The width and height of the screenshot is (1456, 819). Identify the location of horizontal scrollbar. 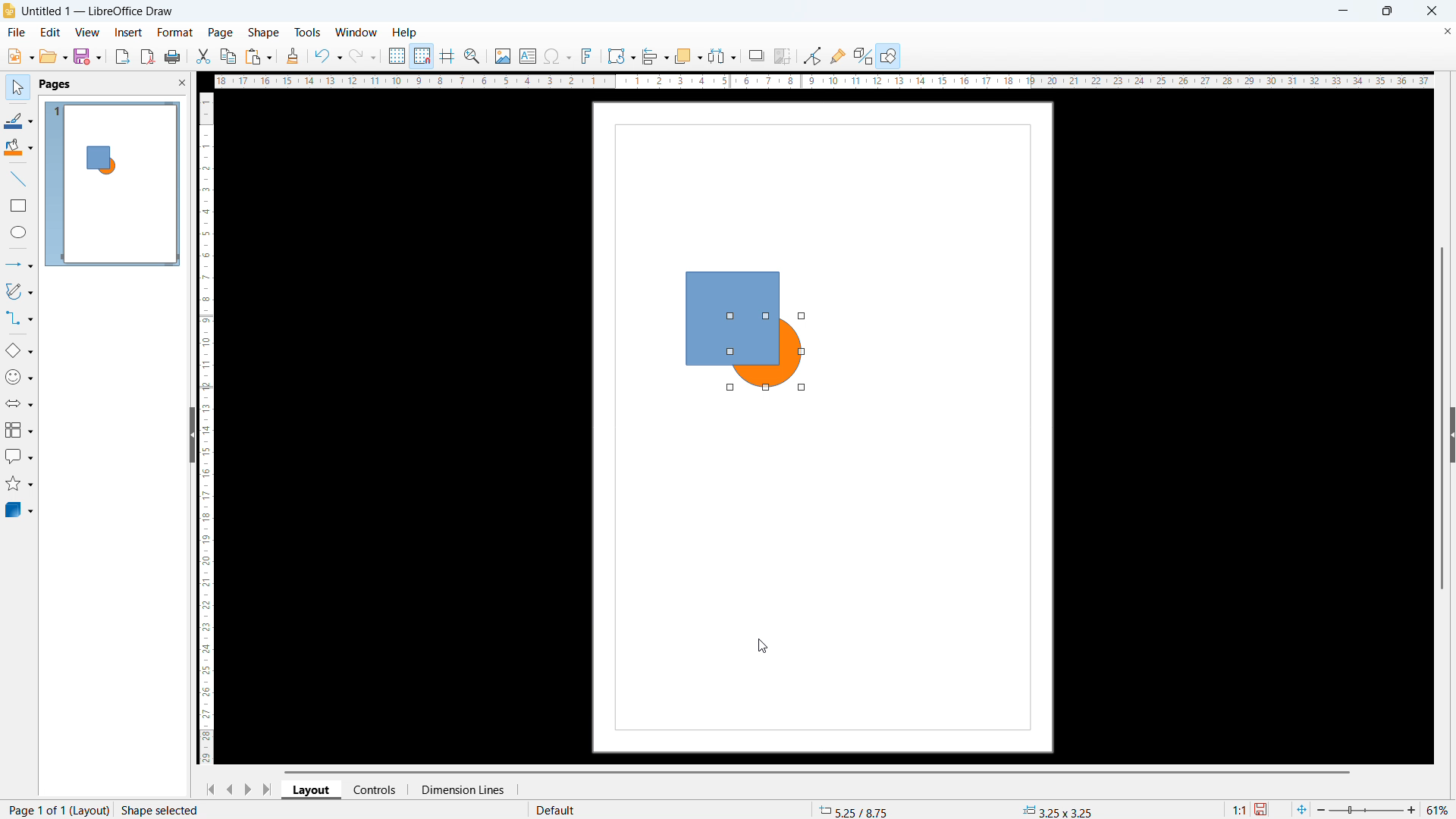
(821, 83).